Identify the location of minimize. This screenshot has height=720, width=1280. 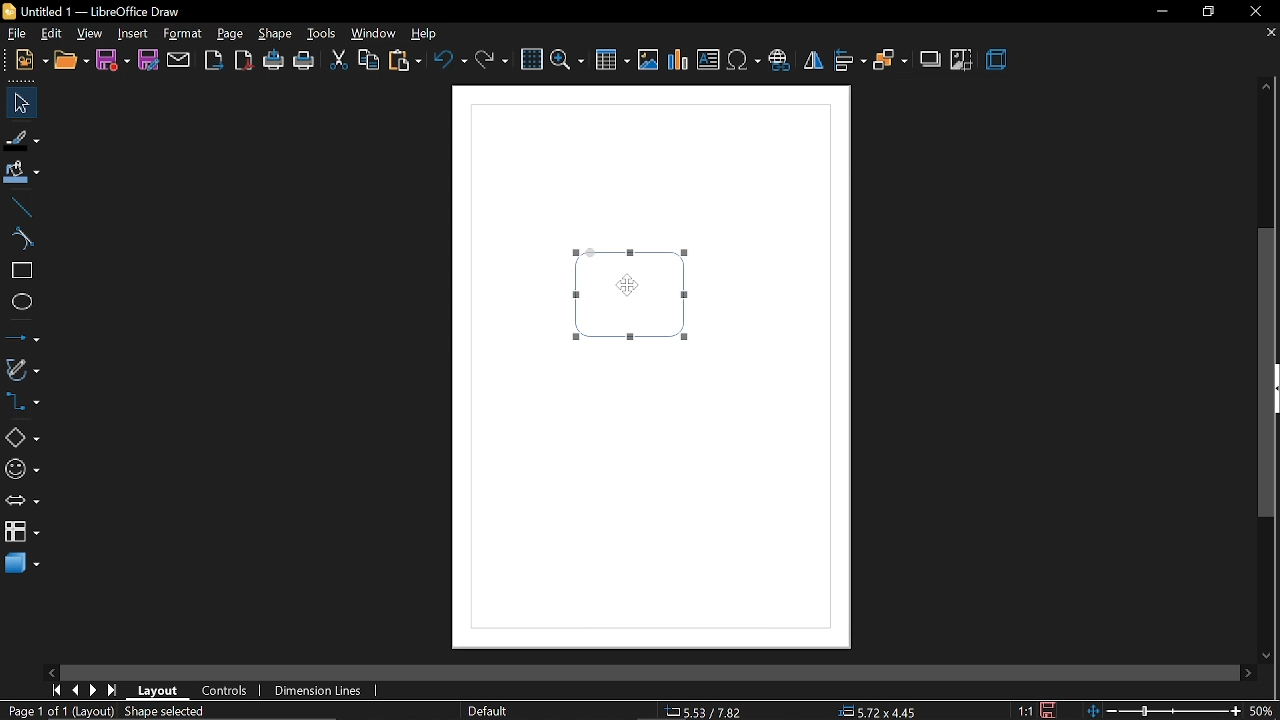
(1160, 12).